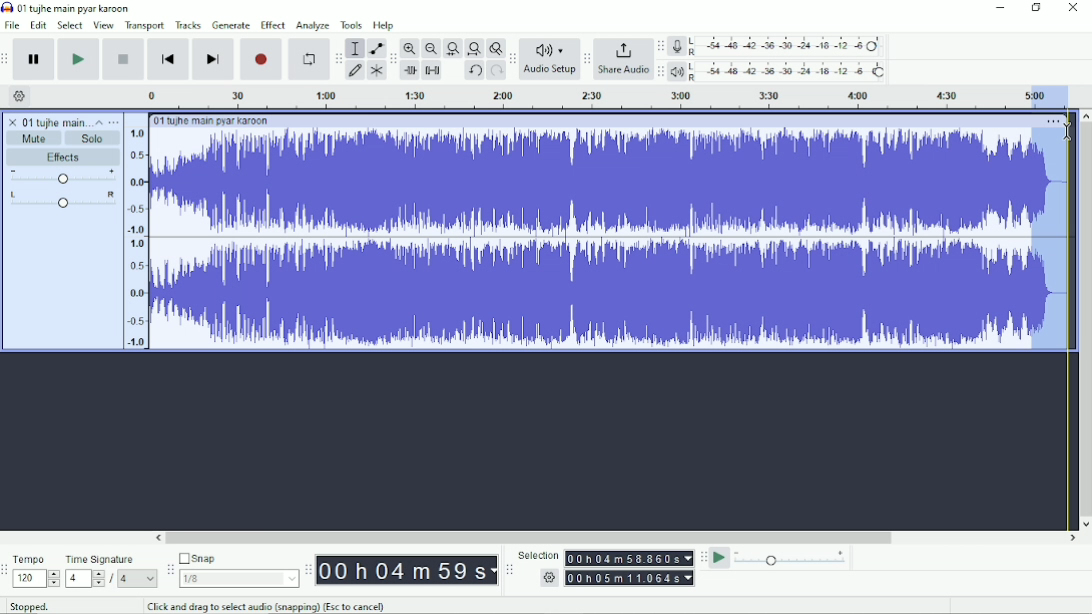 The height and width of the screenshot is (614, 1092). I want to click on Fit project to width, so click(474, 48).